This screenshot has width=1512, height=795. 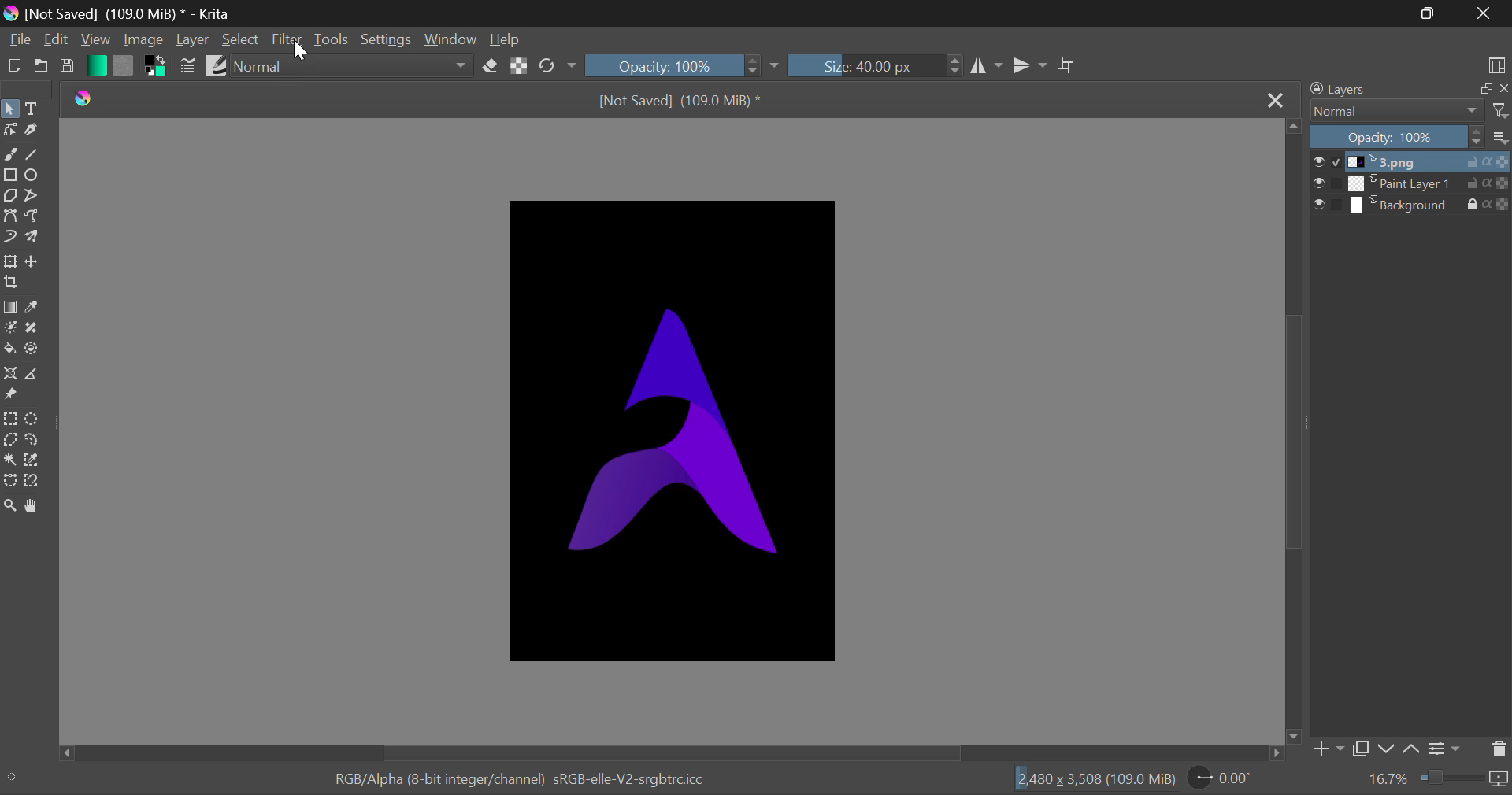 I want to click on logo, so click(x=15, y=15).